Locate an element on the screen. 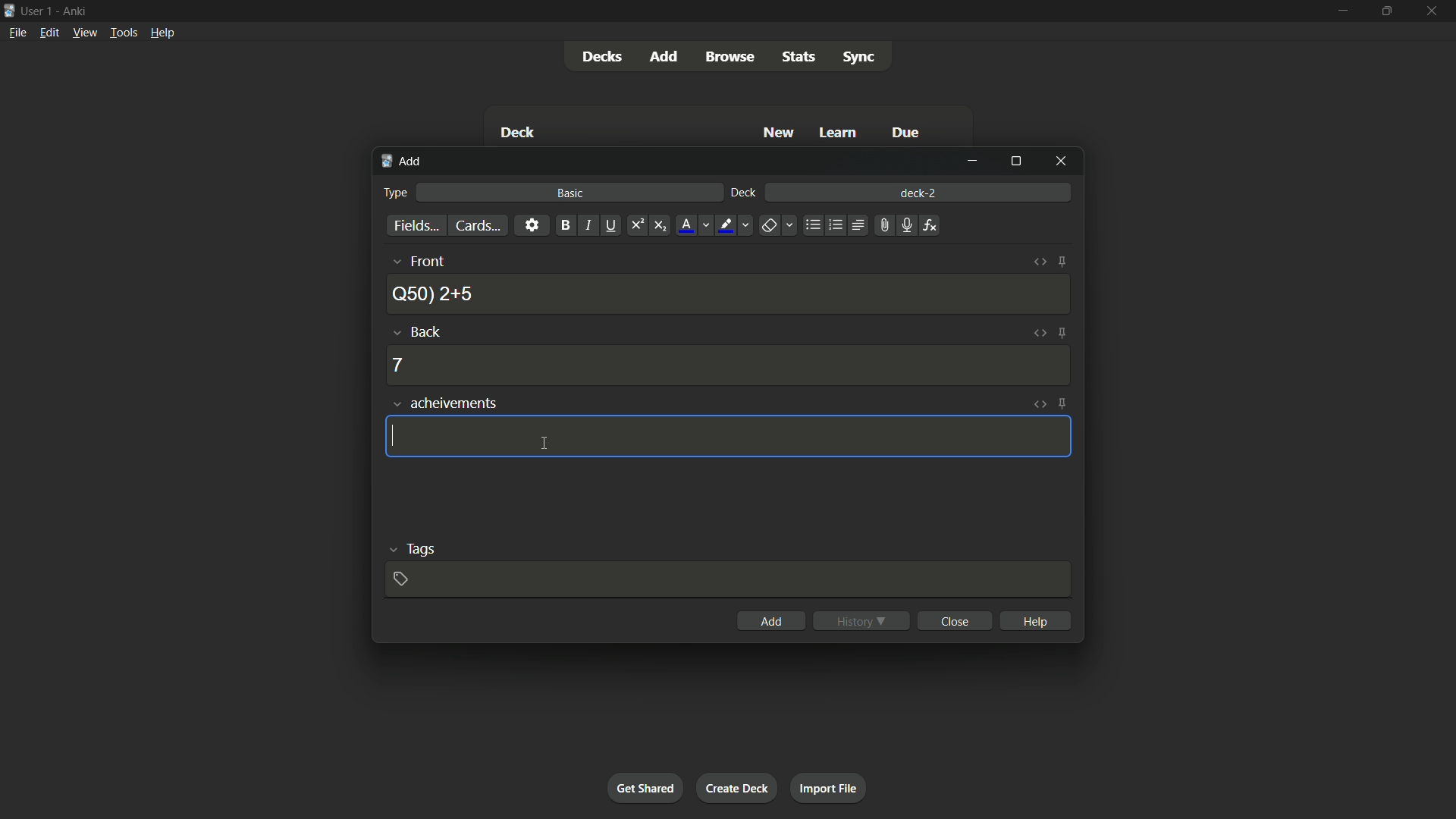 The height and width of the screenshot is (819, 1456). font color is located at coordinates (695, 225).